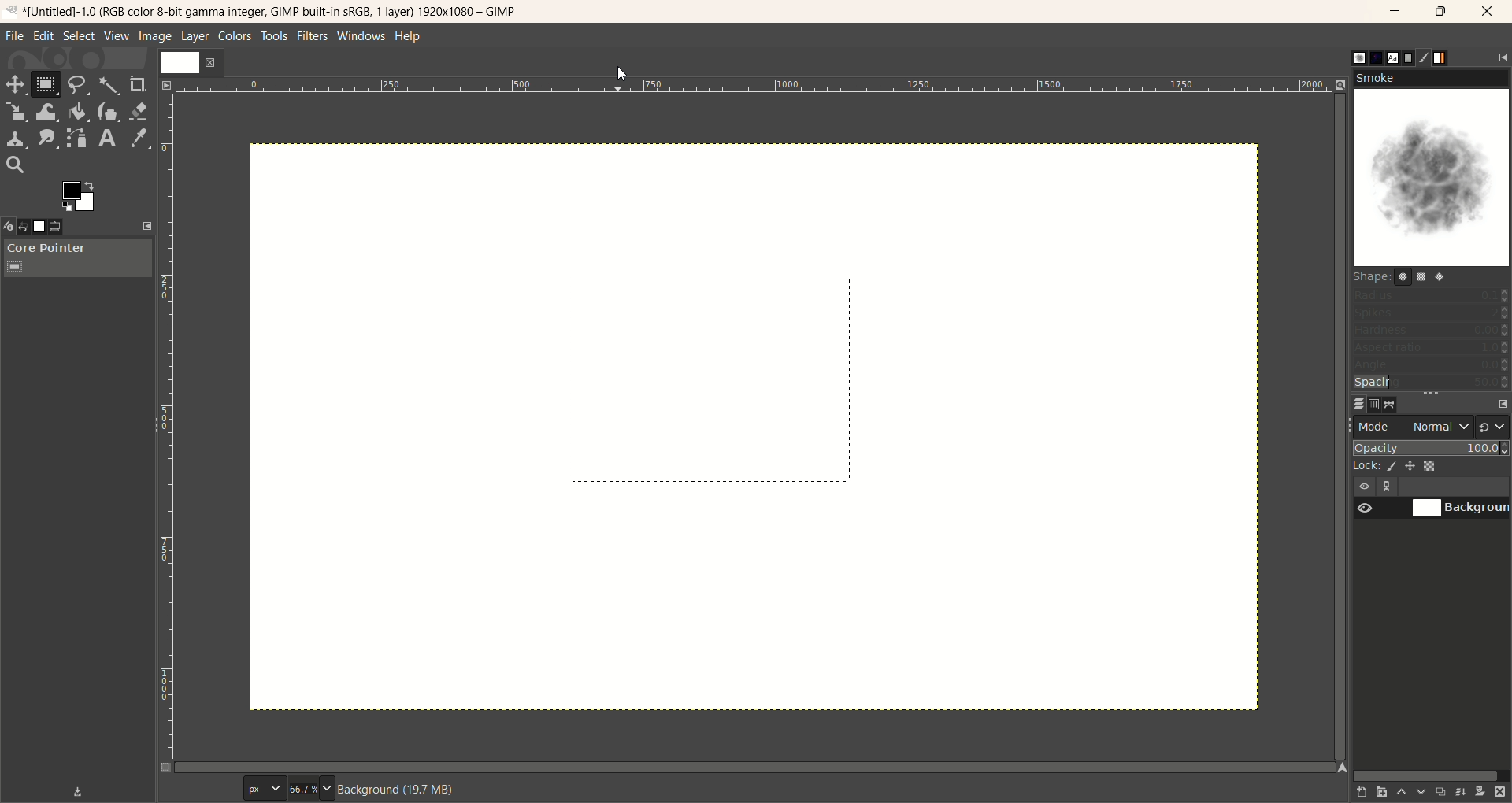 The image size is (1512, 803). I want to click on raise this layer one step, so click(1402, 793).